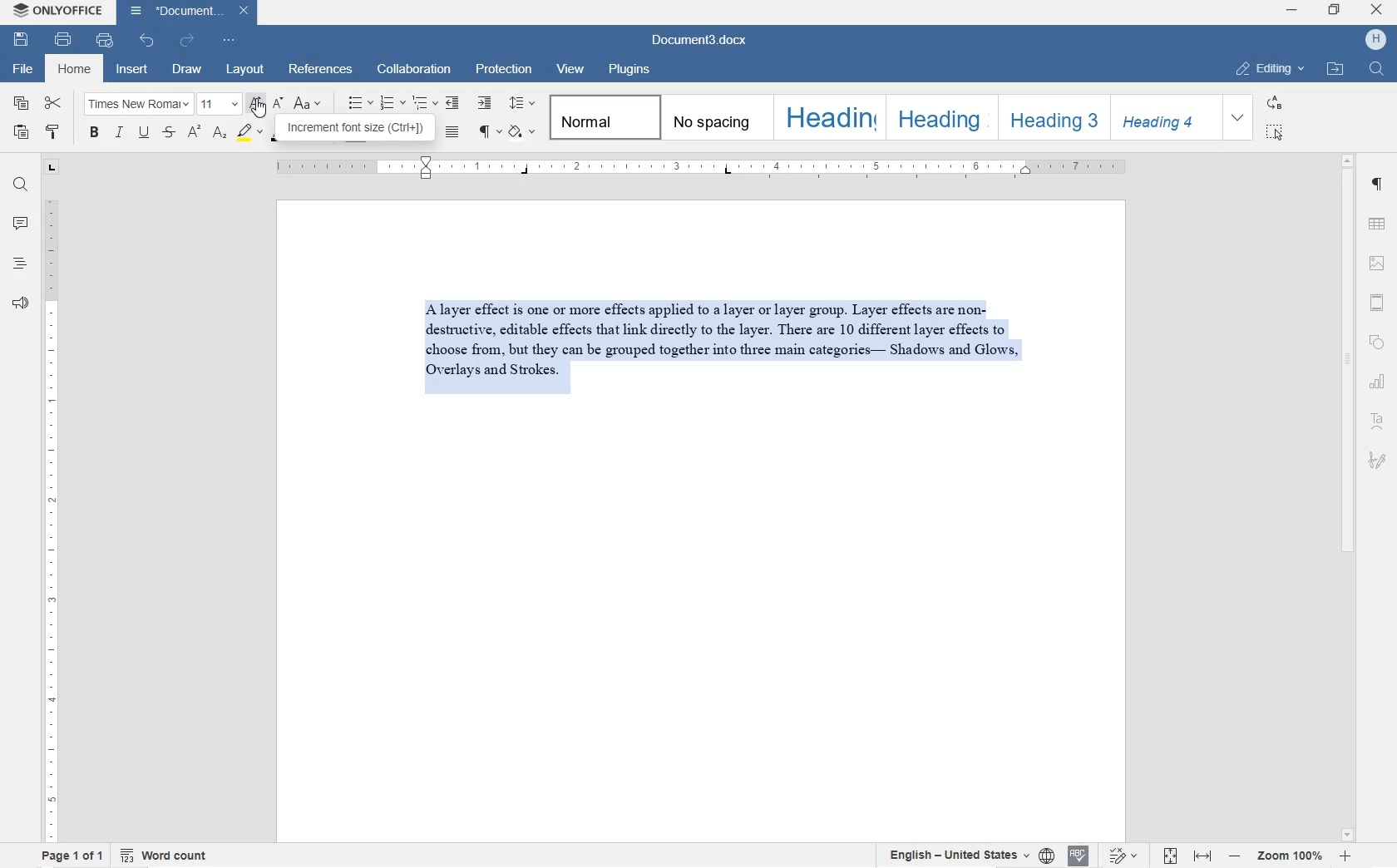  What do you see at coordinates (61, 40) in the screenshot?
I see `print` at bounding box center [61, 40].